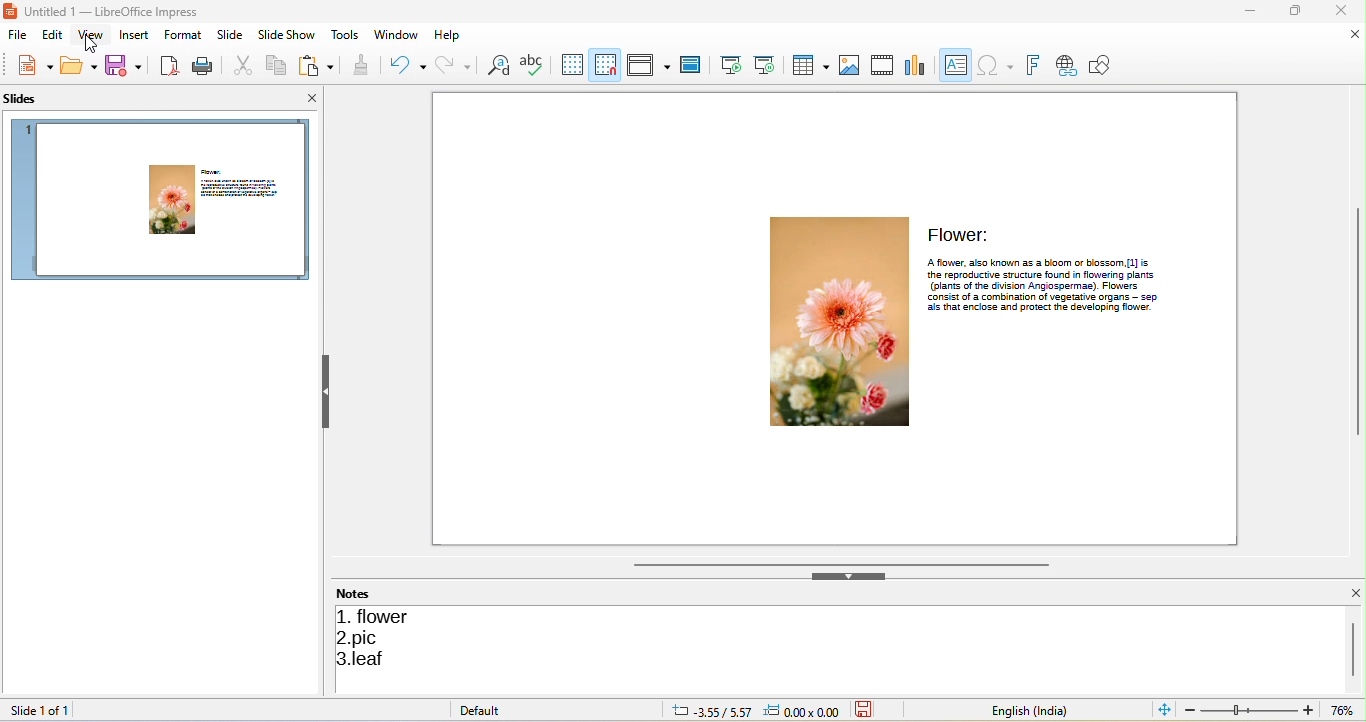 The height and width of the screenshot is (722, 1366). What do you see at coordinates (319, 65) in the screenshot?
I see `paste` at bounding box center [319, 65].